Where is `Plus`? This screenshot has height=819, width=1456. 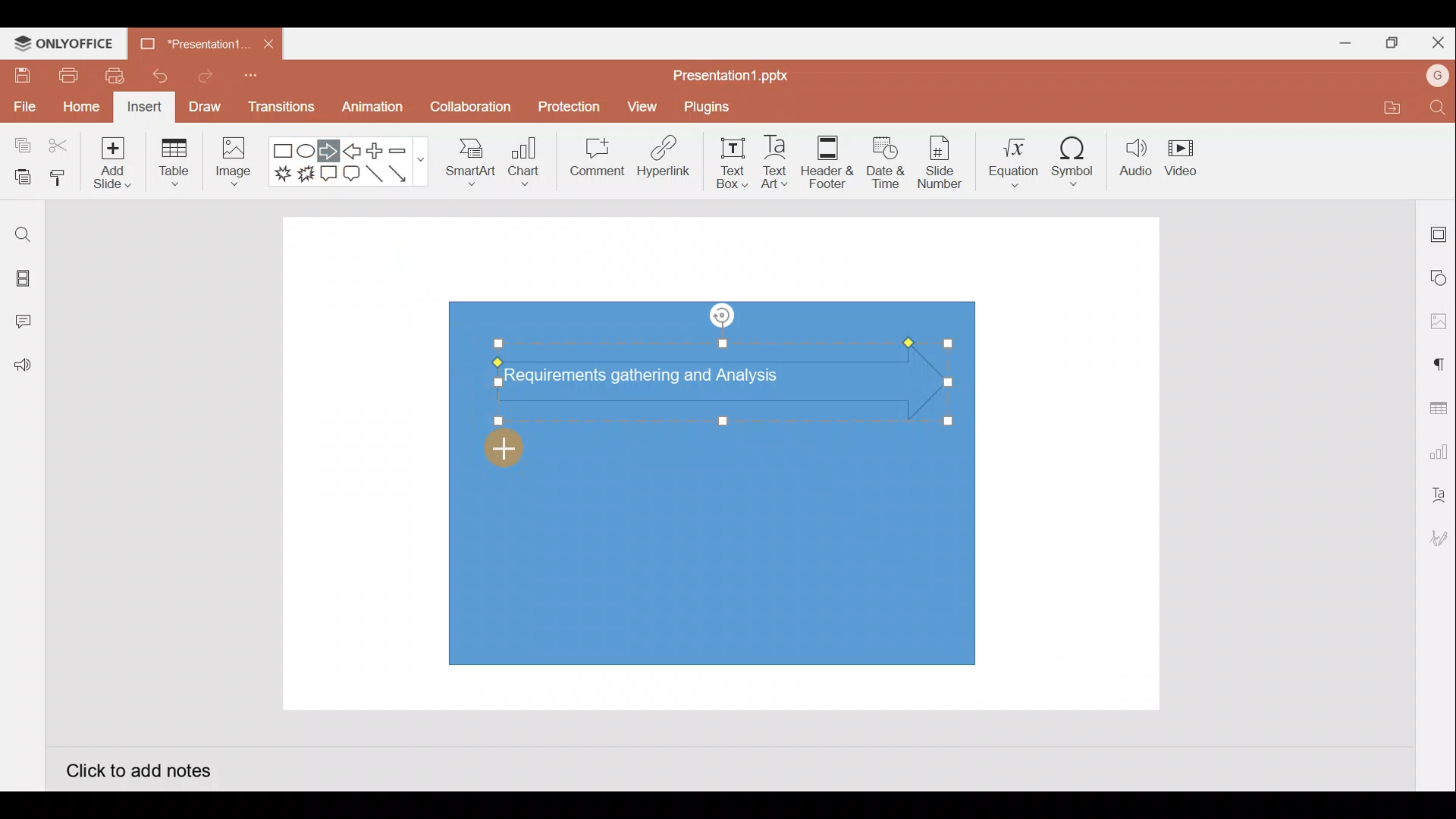 Plus is located at coordinates (378, 151).